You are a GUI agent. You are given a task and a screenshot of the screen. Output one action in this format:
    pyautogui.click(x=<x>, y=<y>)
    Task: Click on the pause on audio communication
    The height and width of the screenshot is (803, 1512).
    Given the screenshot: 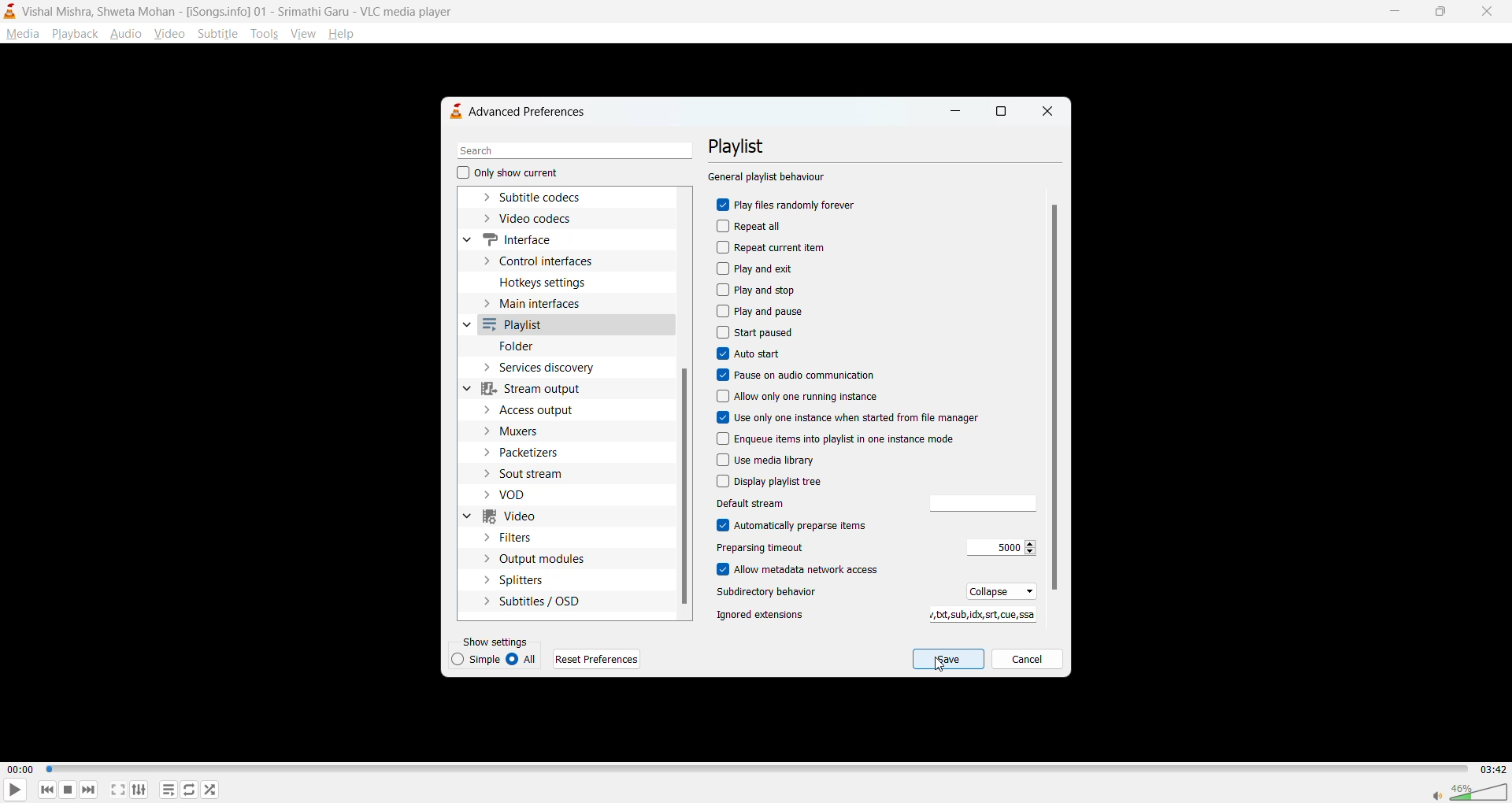 What is the action you would take?
    pyautogui.click(x=802, y=374)
    